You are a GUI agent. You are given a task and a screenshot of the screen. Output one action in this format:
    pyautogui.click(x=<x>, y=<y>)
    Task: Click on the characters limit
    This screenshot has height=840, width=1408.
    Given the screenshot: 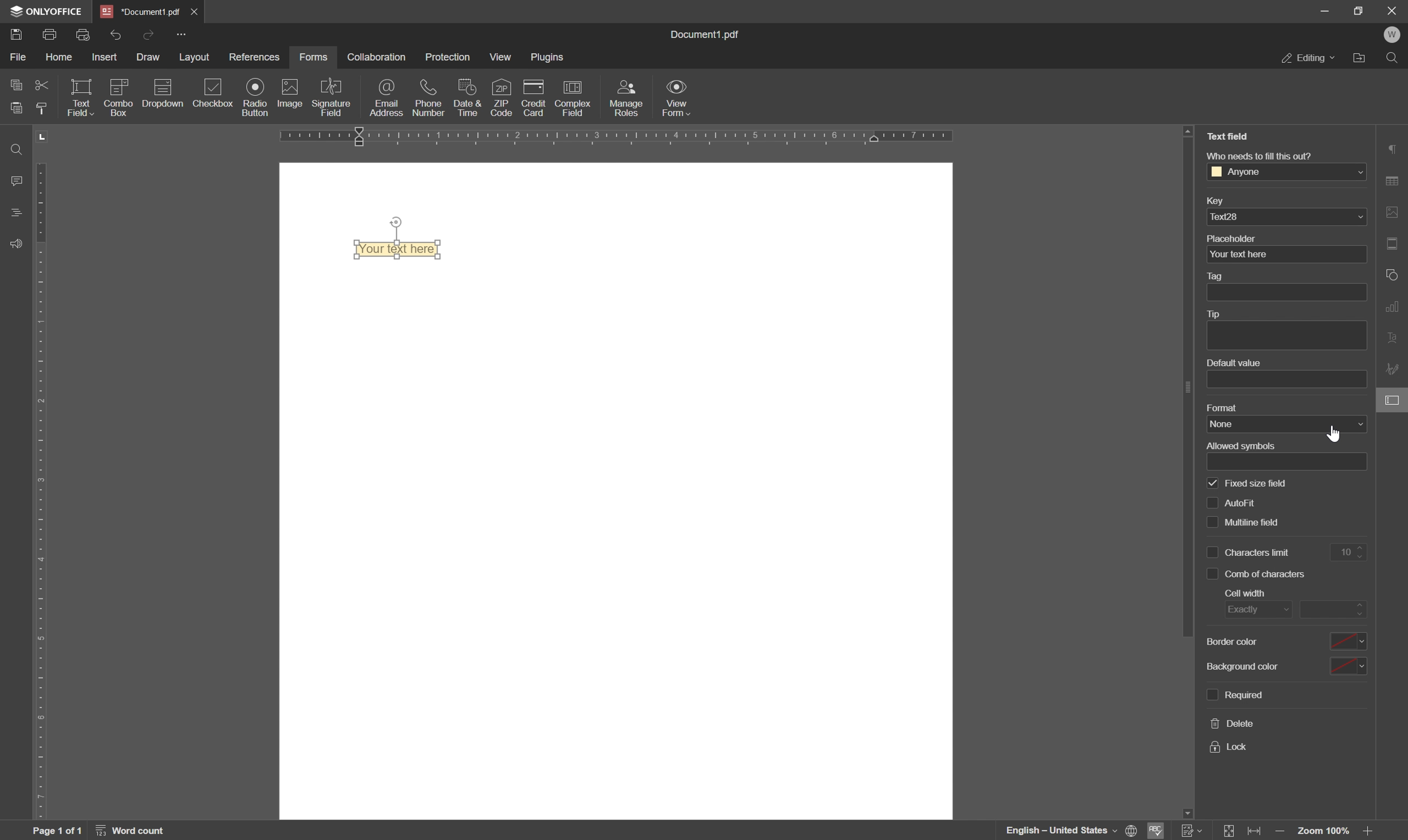 What is the action you would take?
    pyautogui.click(x=1249, y=552)
    